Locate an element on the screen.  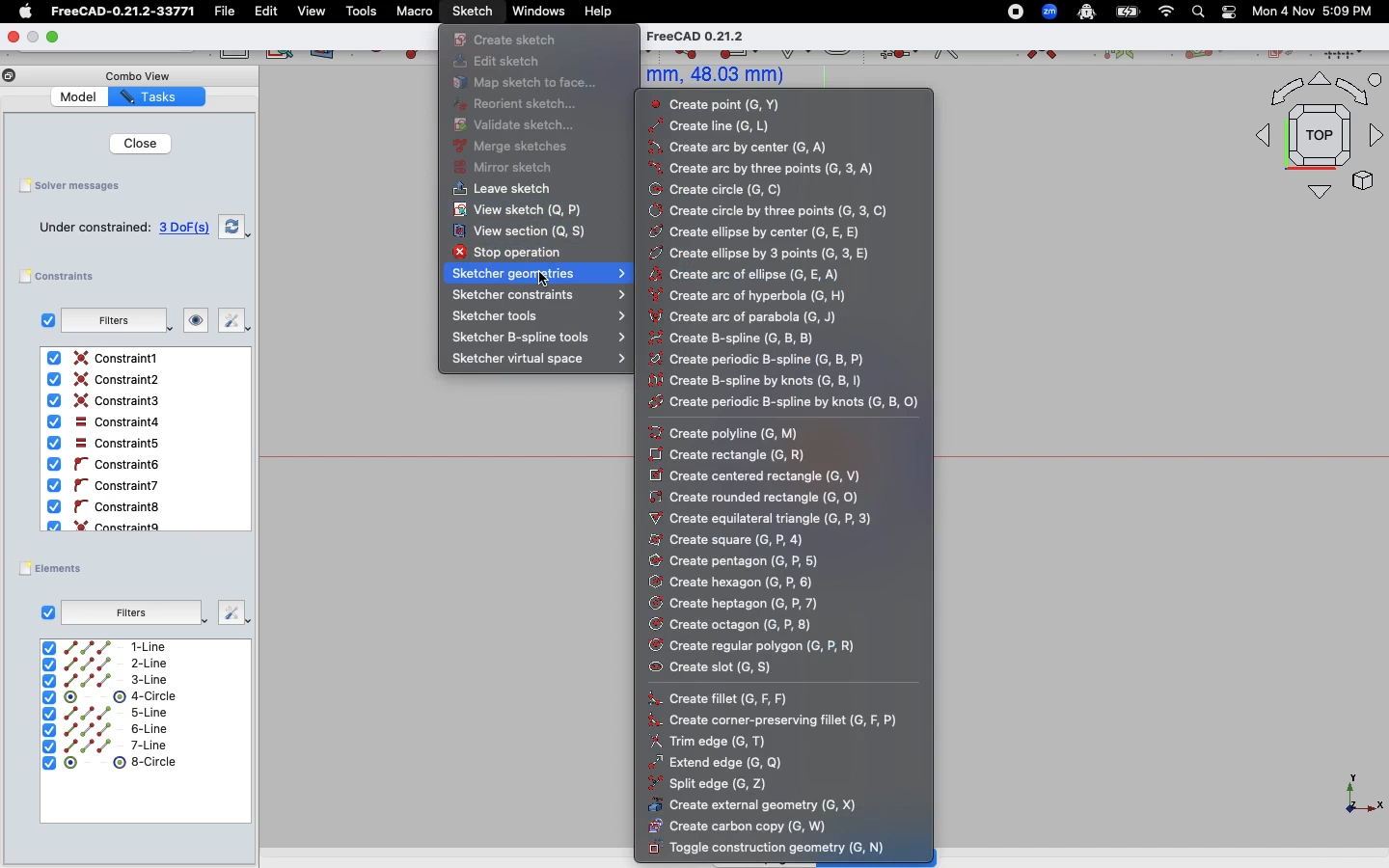
Tasks is located at coordinates (160, 96).